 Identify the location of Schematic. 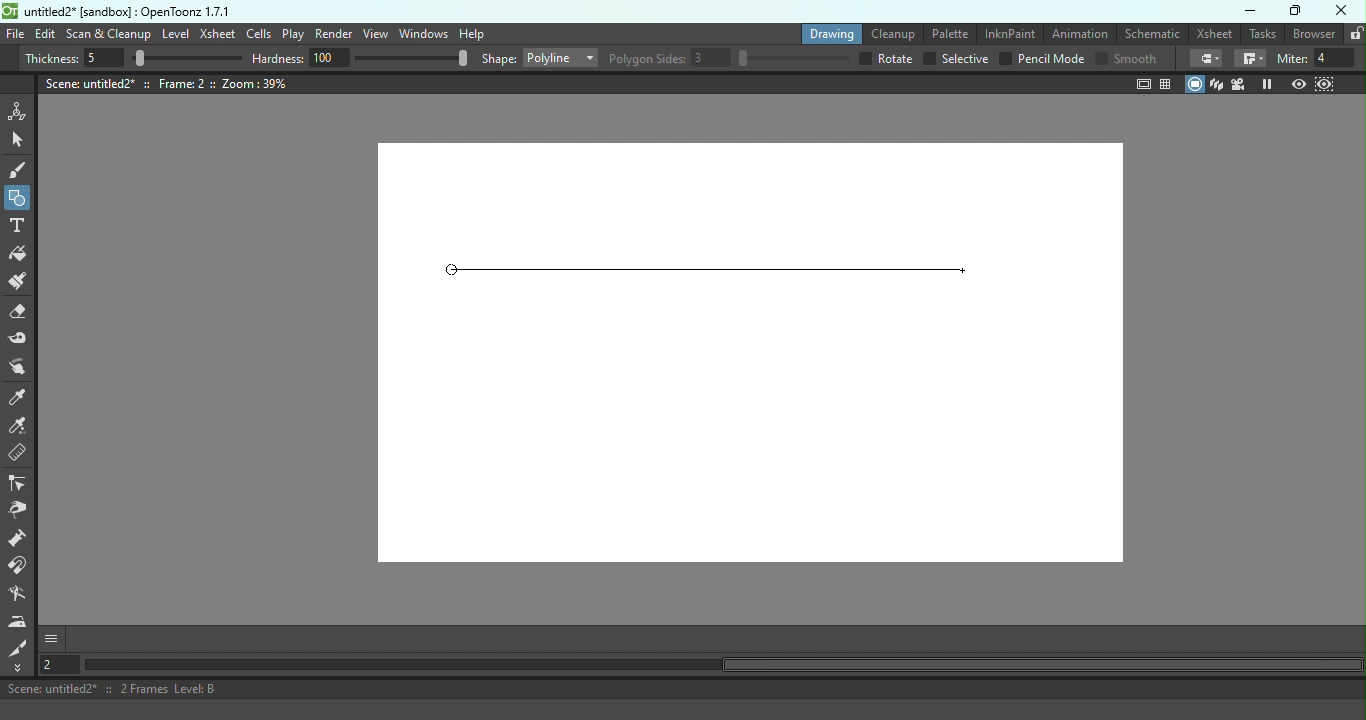
(1151, 32).